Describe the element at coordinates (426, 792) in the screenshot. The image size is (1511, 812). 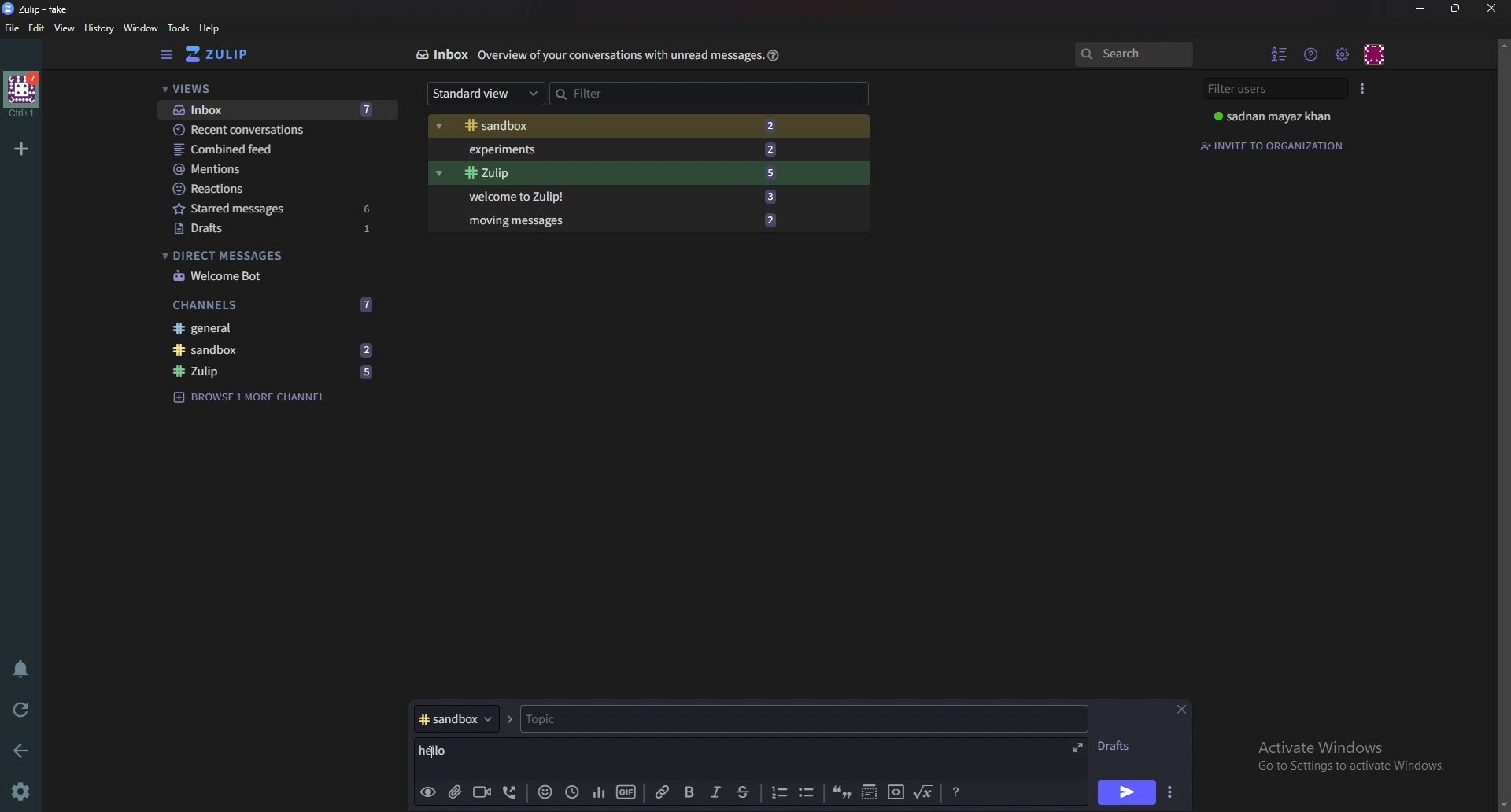
I see `preview` at that location.